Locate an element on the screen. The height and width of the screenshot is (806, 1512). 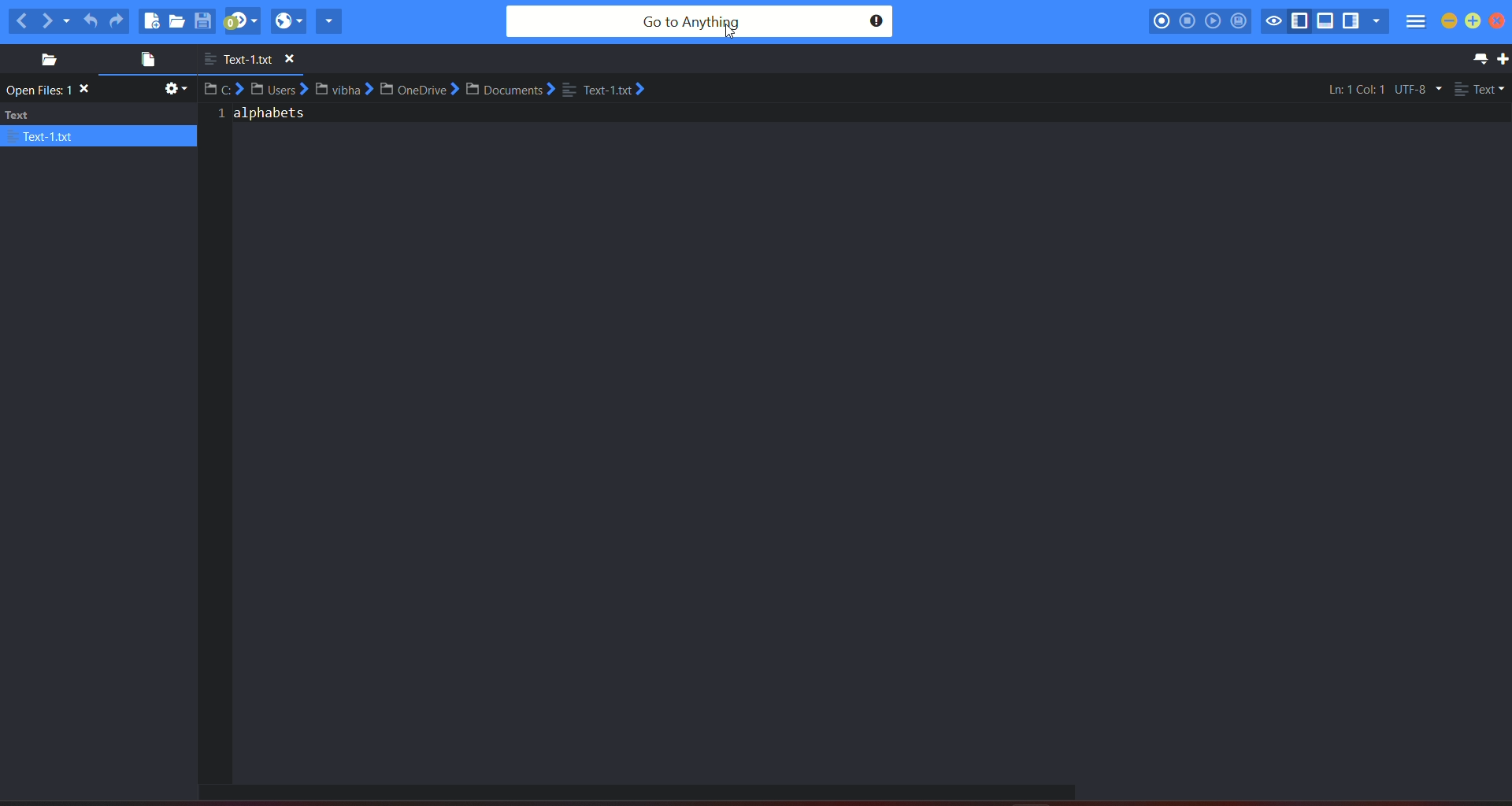
new file is located at coordinates (151, 20).